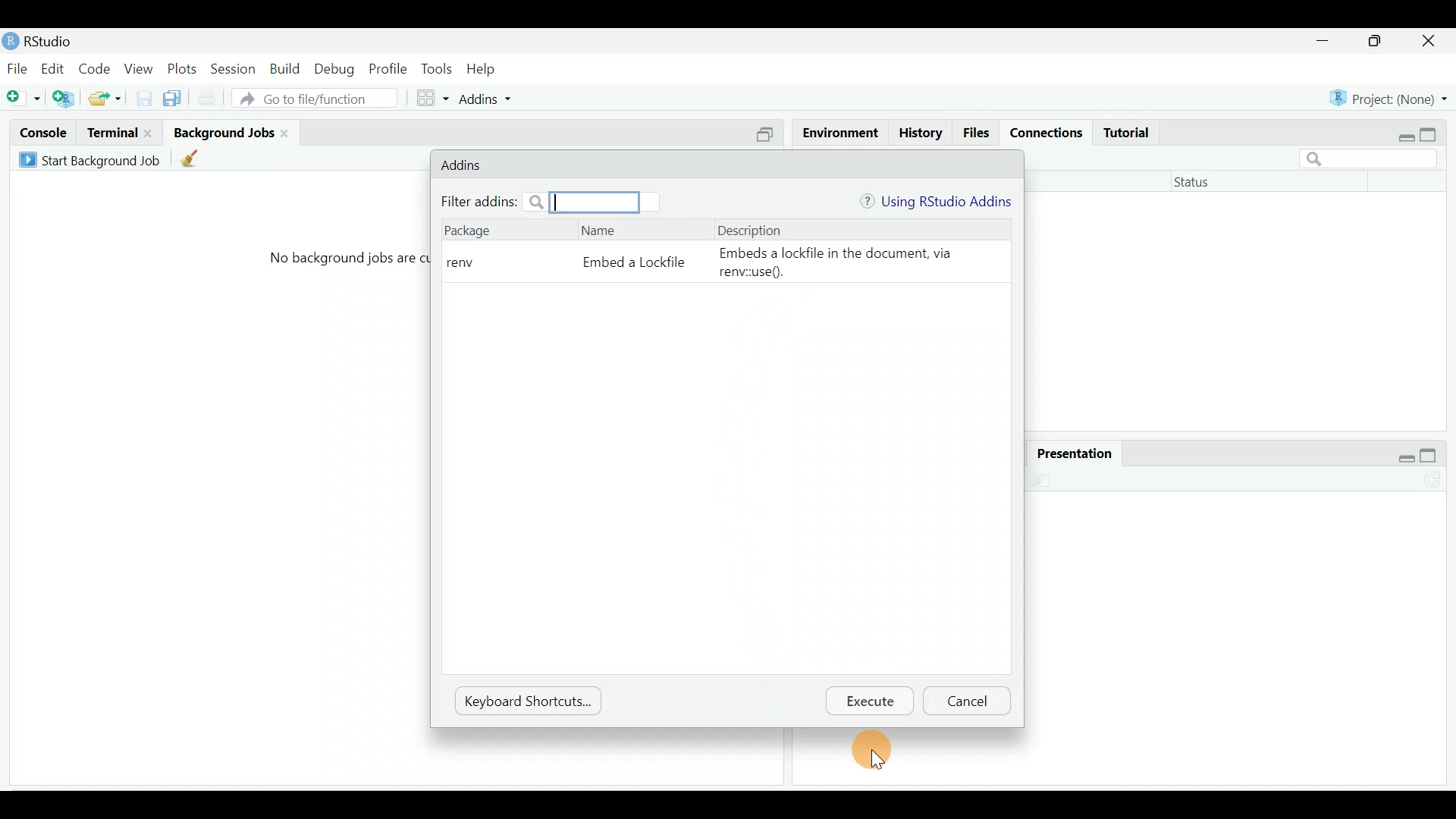 This screenshot has height=819, width=1456. I want to click on Build, so click(287, 69).